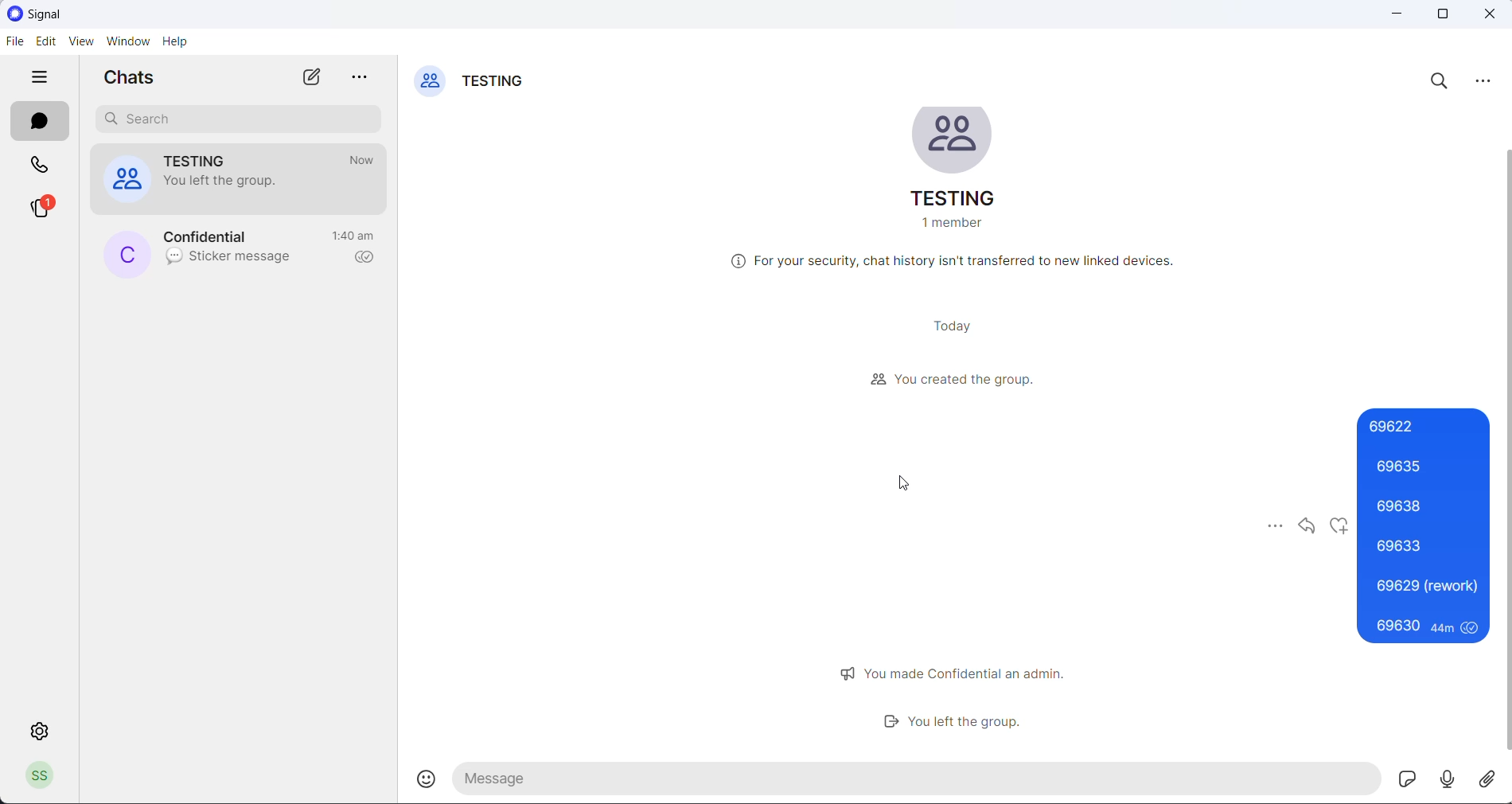 Image resolution: width=1512 pixels, height=804 pixels. Describe the element at coordinates (954, 326) in the screenshot. I see `today heading` at that location.